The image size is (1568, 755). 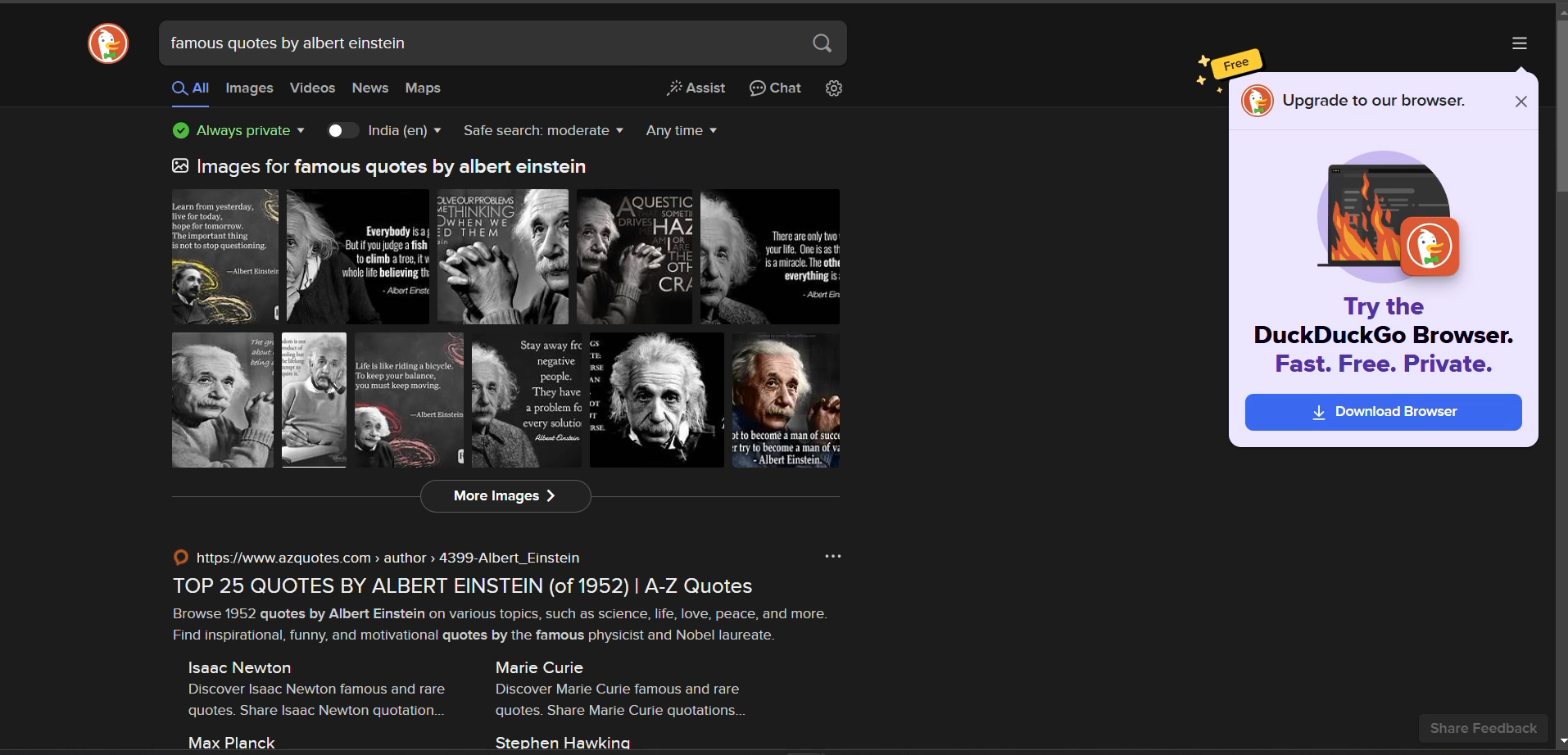 What do you see at coordinates (826, 46) in the screenshot?
I see `search` at bounding box center [826, 46].